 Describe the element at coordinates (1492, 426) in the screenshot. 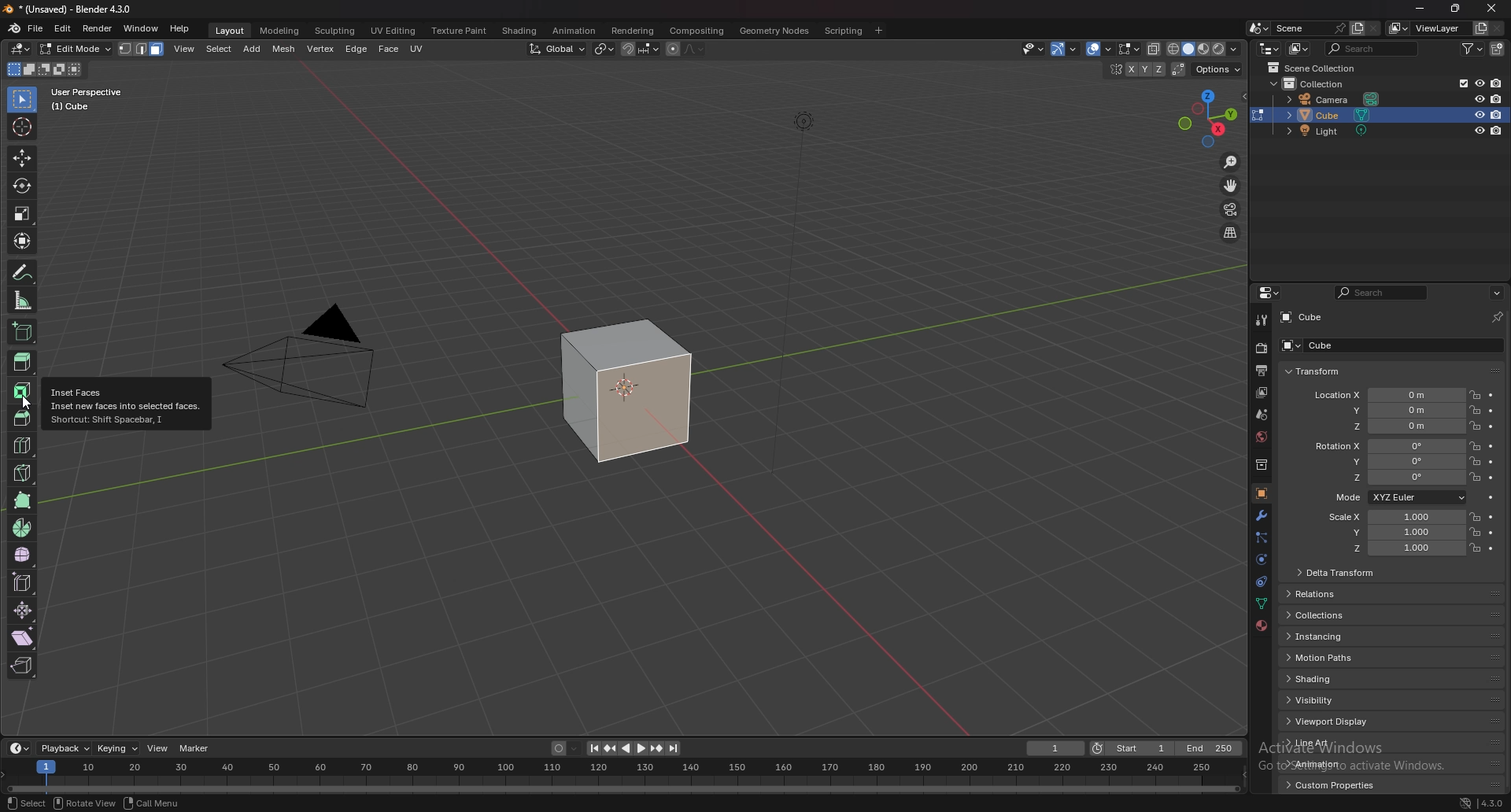

I see `animate property` at that location.